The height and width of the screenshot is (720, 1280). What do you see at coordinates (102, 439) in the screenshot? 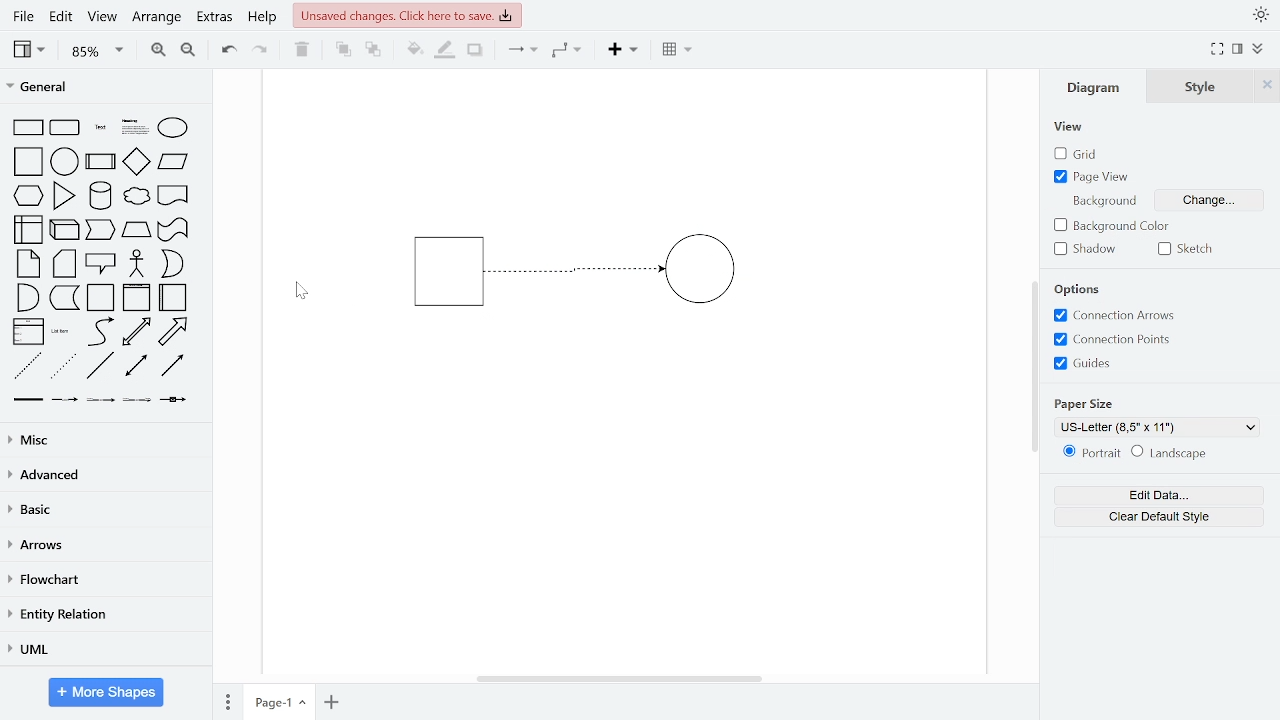
I see `misc` at bounding box center [102, 439].